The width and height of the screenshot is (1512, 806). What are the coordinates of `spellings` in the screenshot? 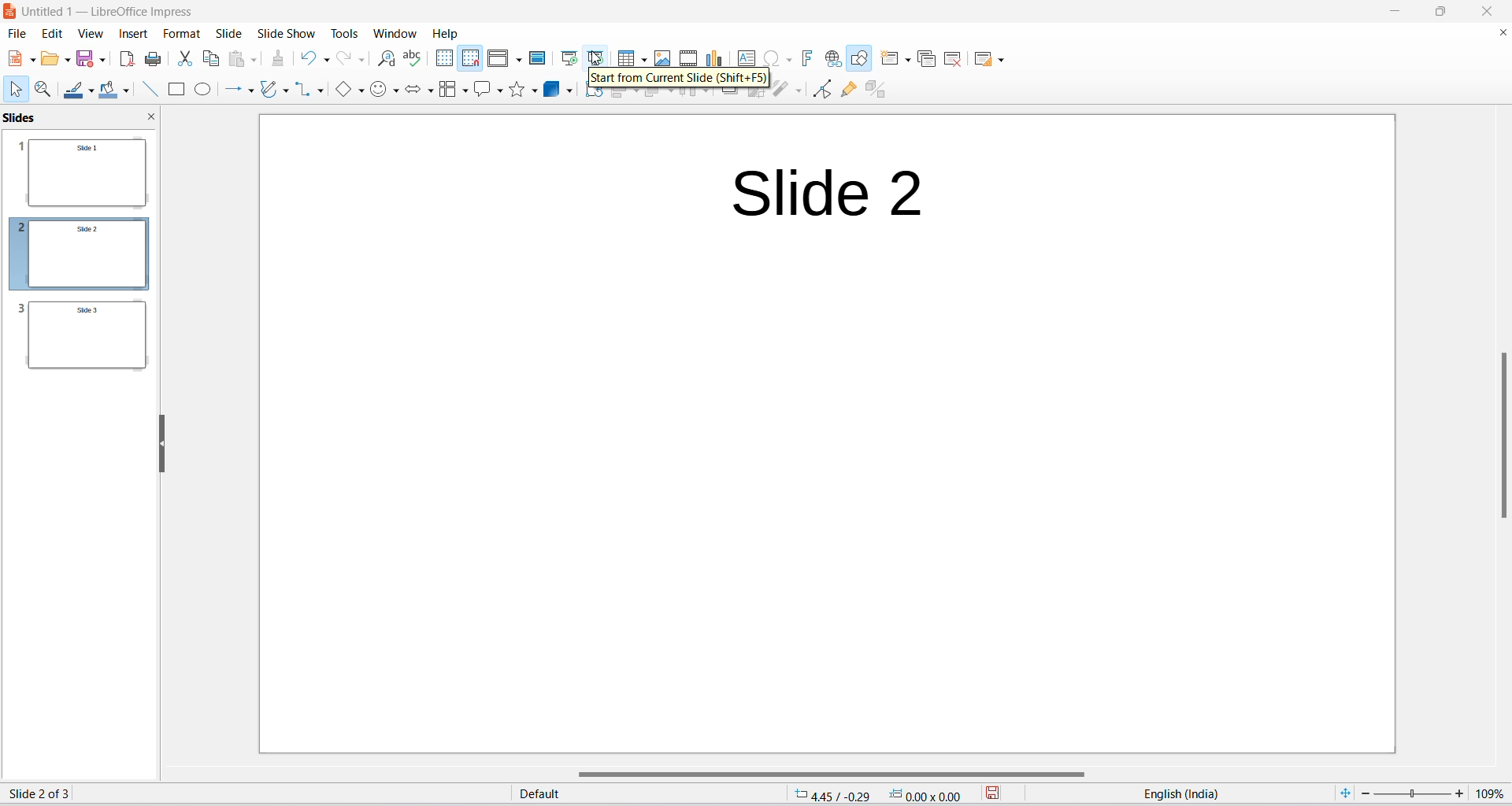 It's located at (417, 59).